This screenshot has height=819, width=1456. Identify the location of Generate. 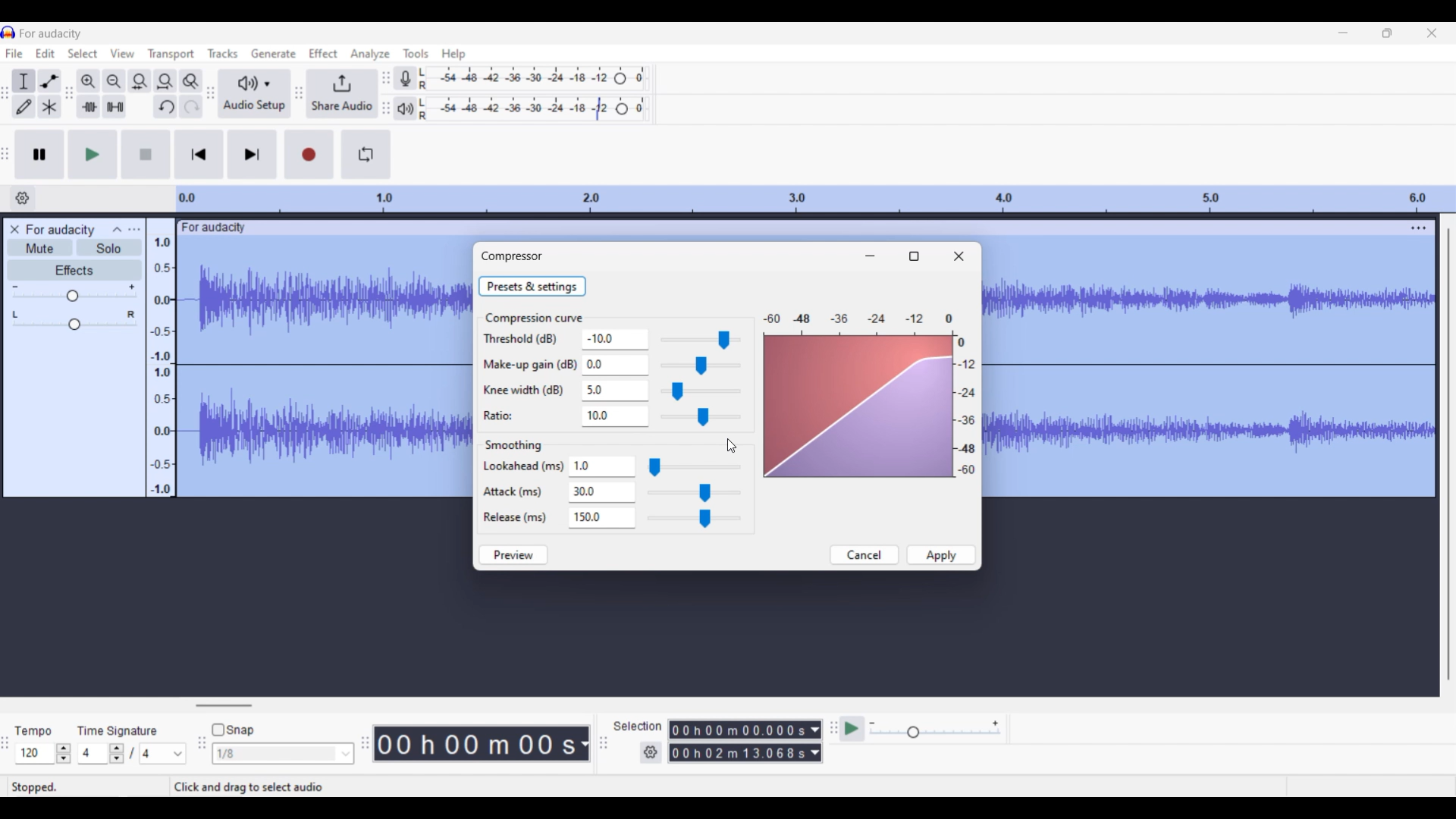
(271, 52).